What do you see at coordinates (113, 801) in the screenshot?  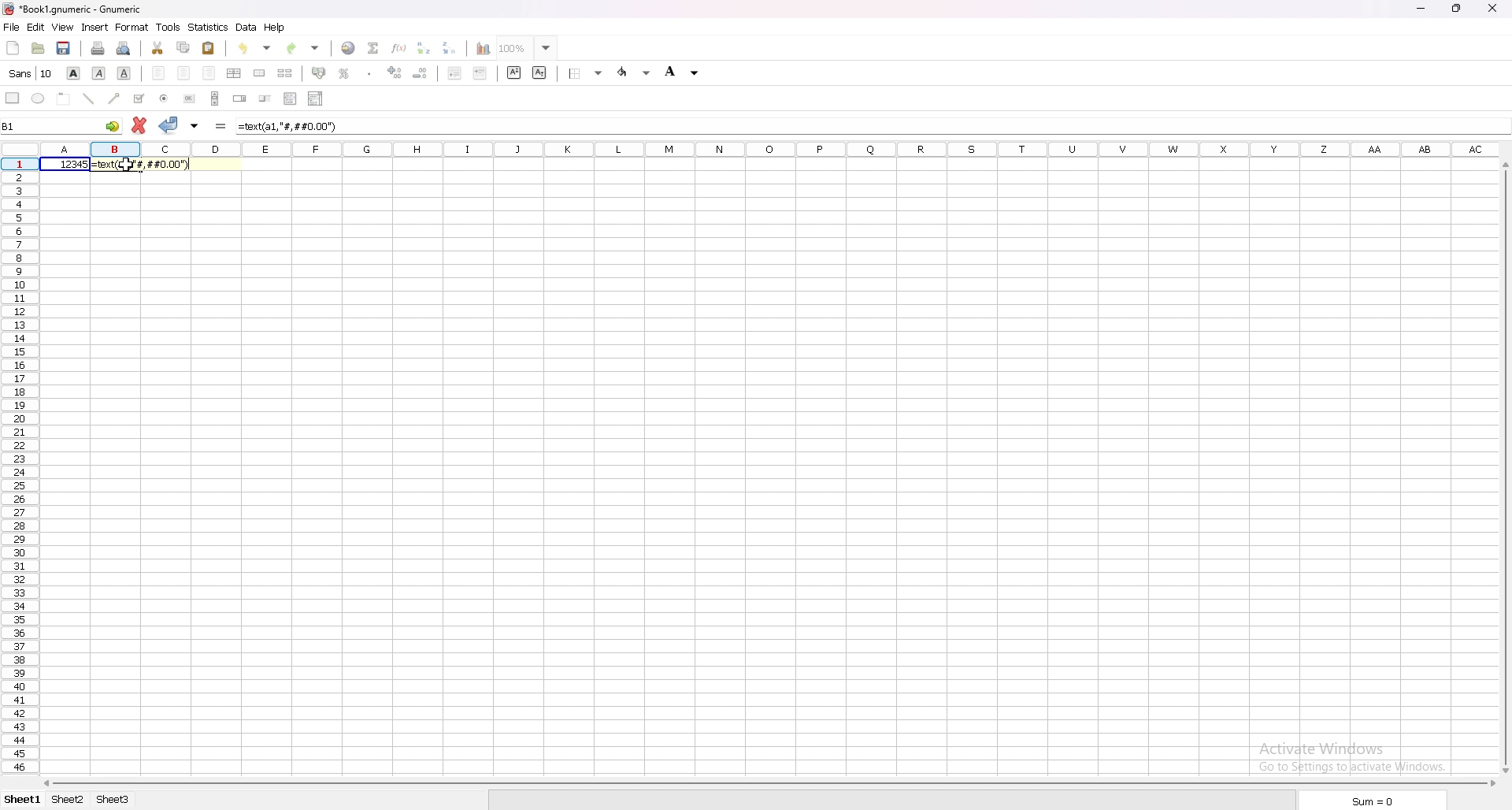 I see `sheet3` at bounding box center [113, 801].